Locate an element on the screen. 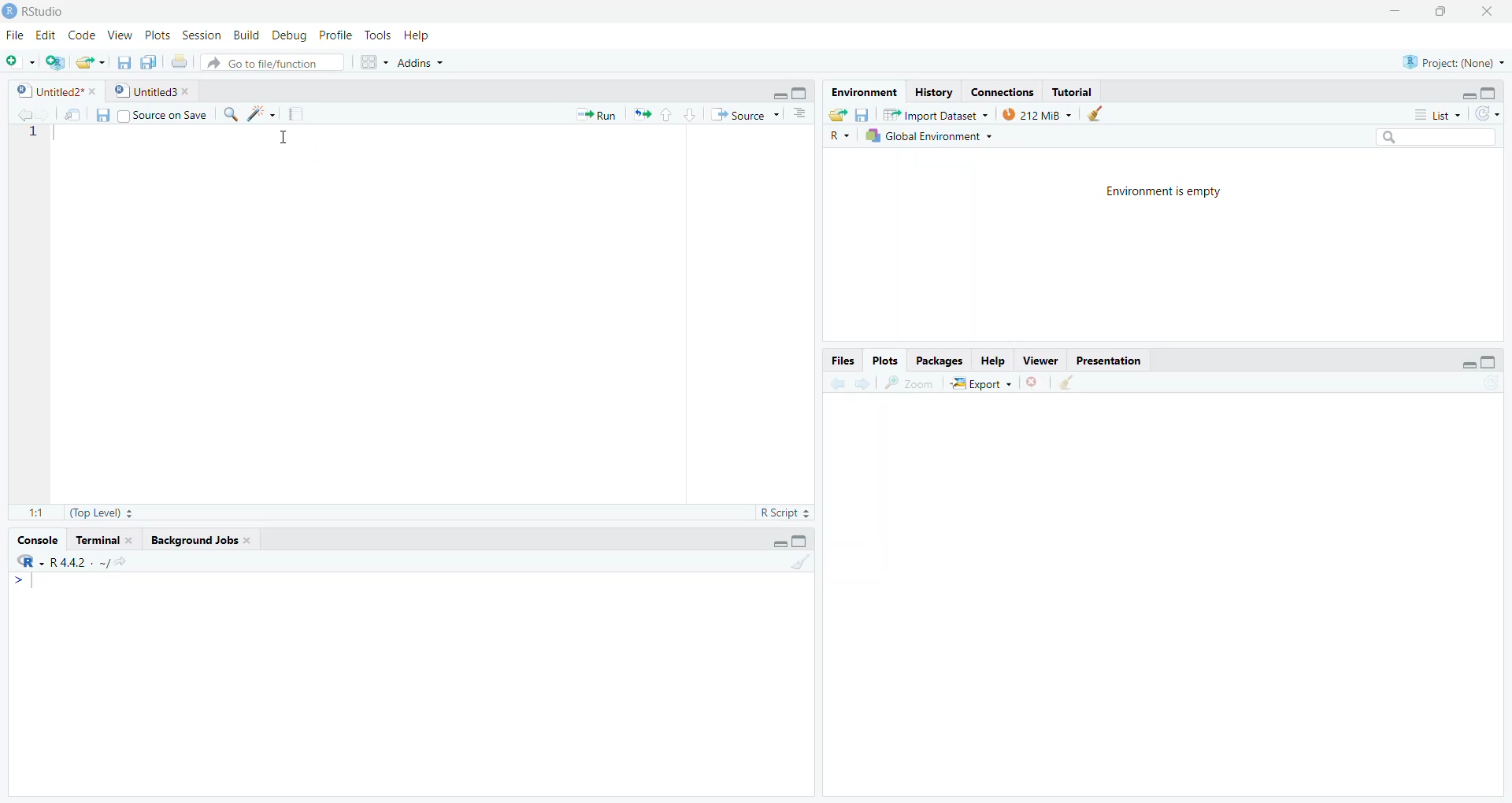  RS audio is located at coordinates (37, 12).